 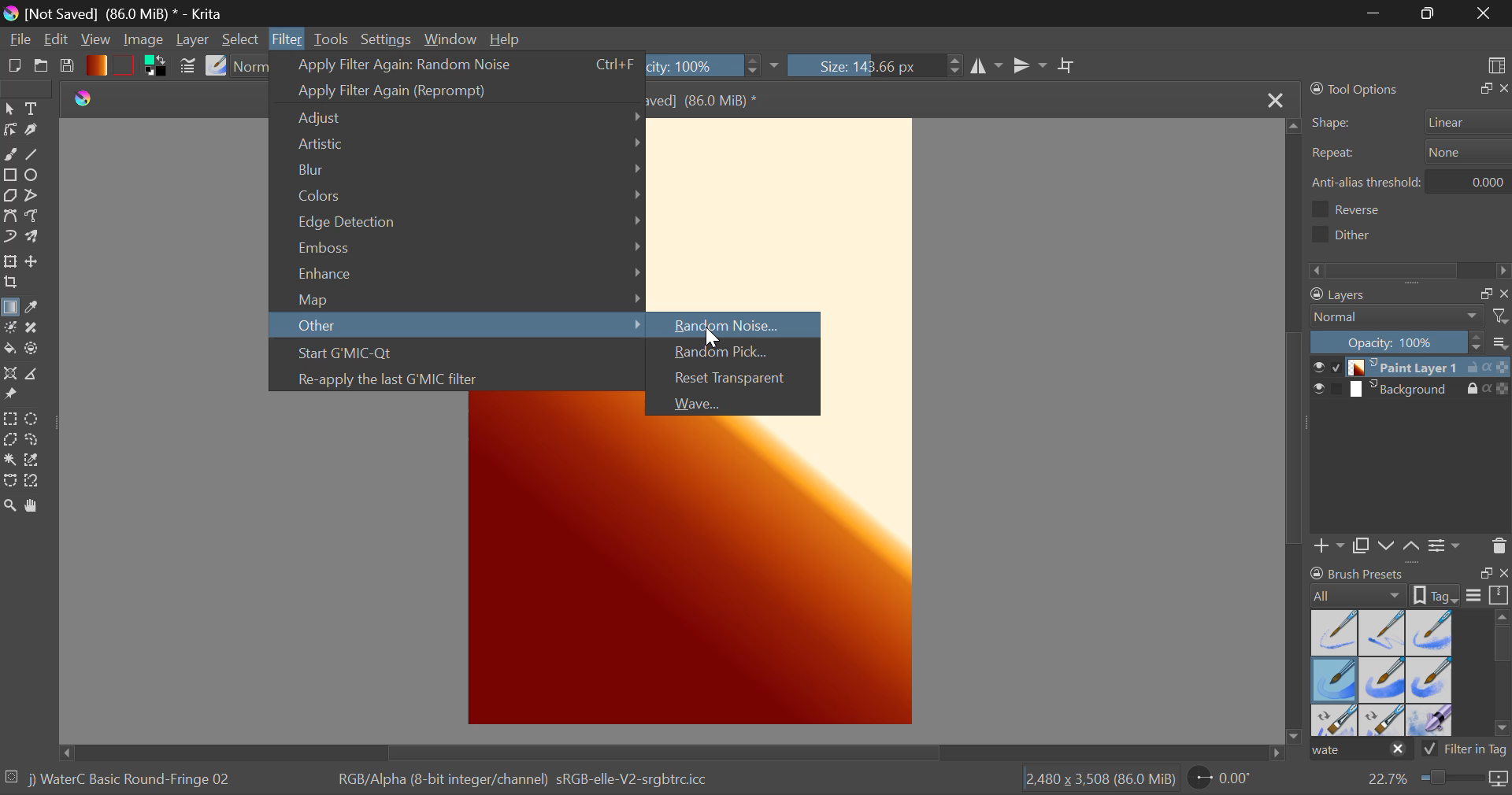 What do you see at coordinates (38, 309) in the screenshot?
I see `Eyedropper` at bounding box center [38, 309].